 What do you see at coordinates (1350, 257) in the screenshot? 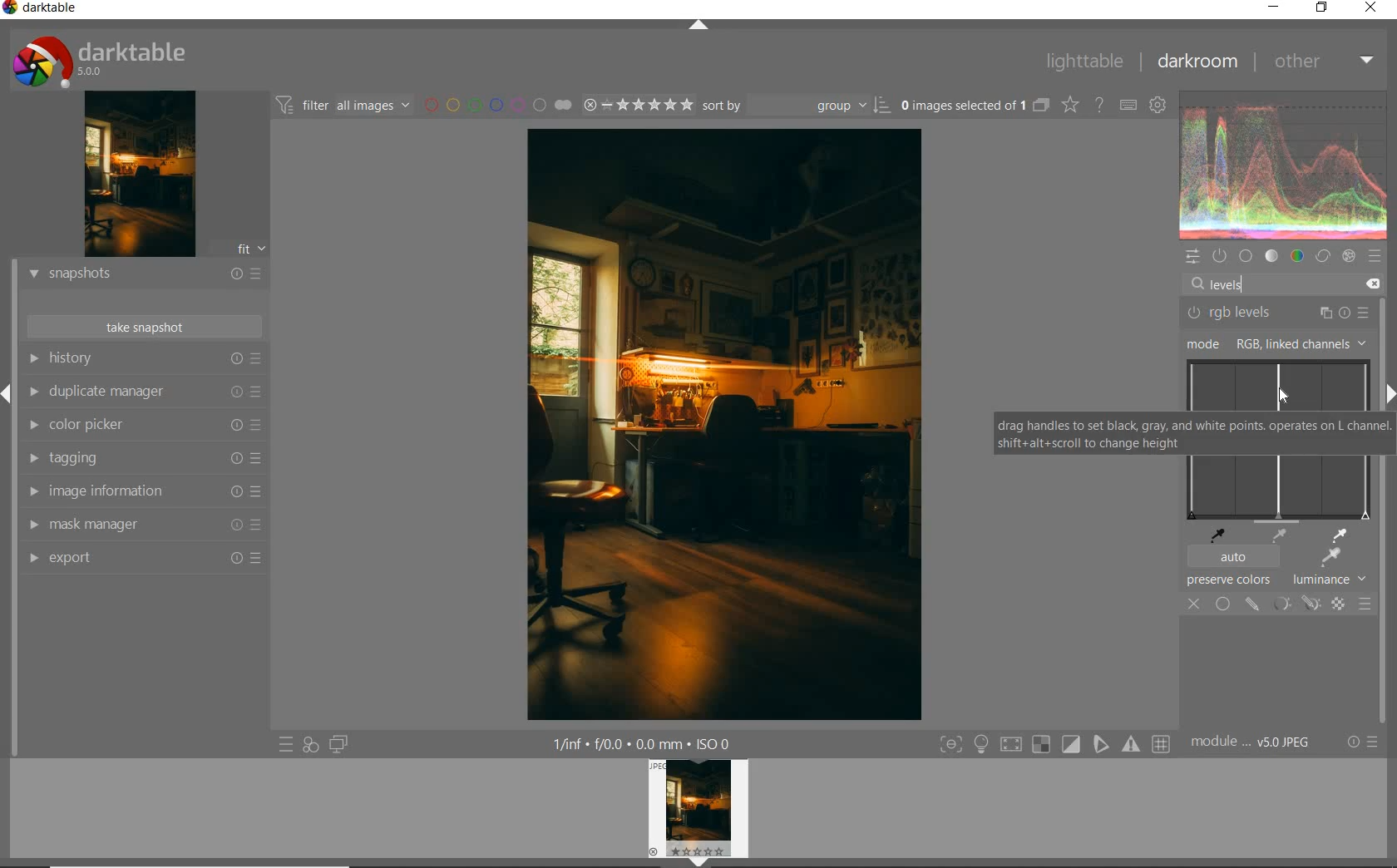
I see `effect` at bounding box center [1350, 257].